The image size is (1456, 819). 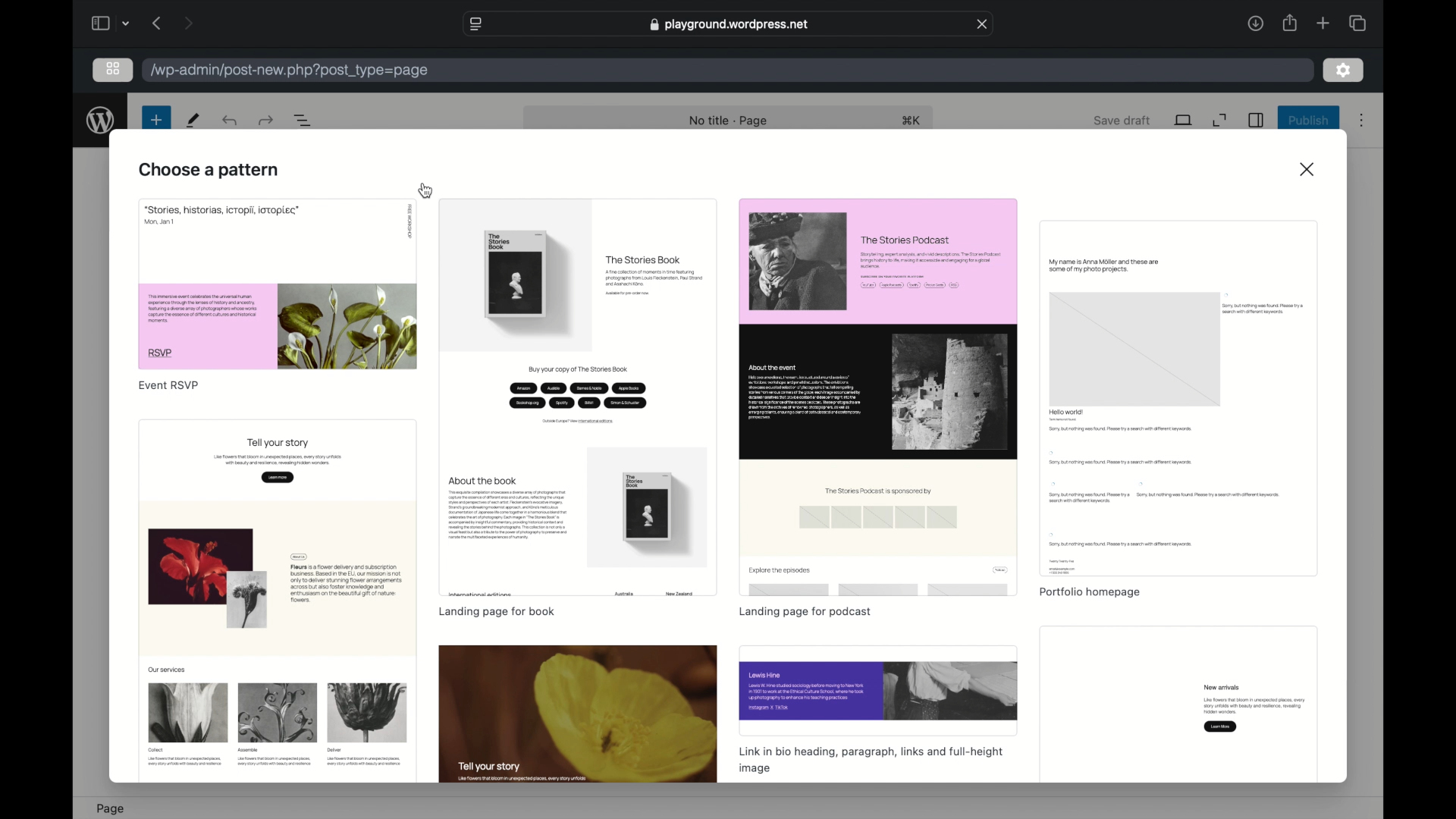 I want to click on preview, so click(x=579, y=714).